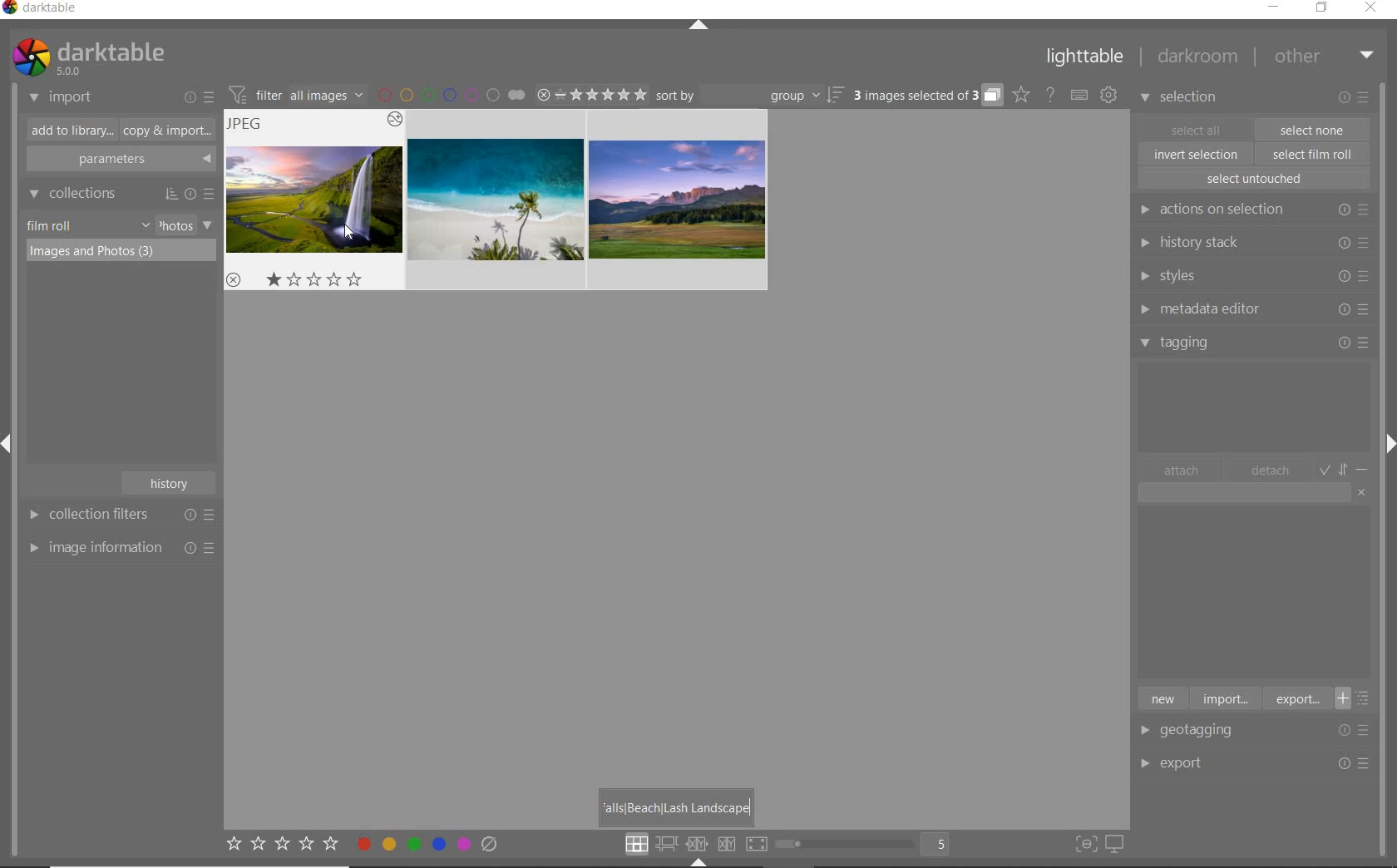  What do you see at coordinates (1251, 242) in the screenshot?
I see `history stack` at bounding box center [1251, 242].